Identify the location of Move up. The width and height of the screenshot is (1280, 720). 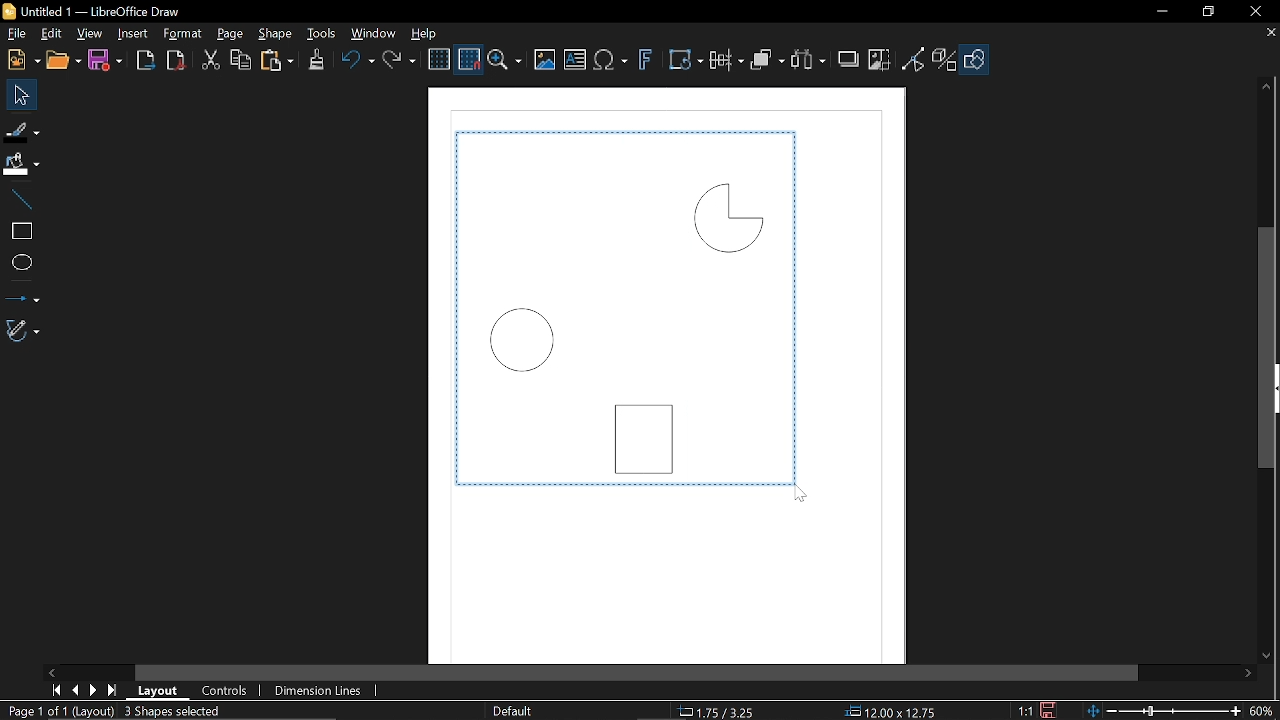
(1270, 88).